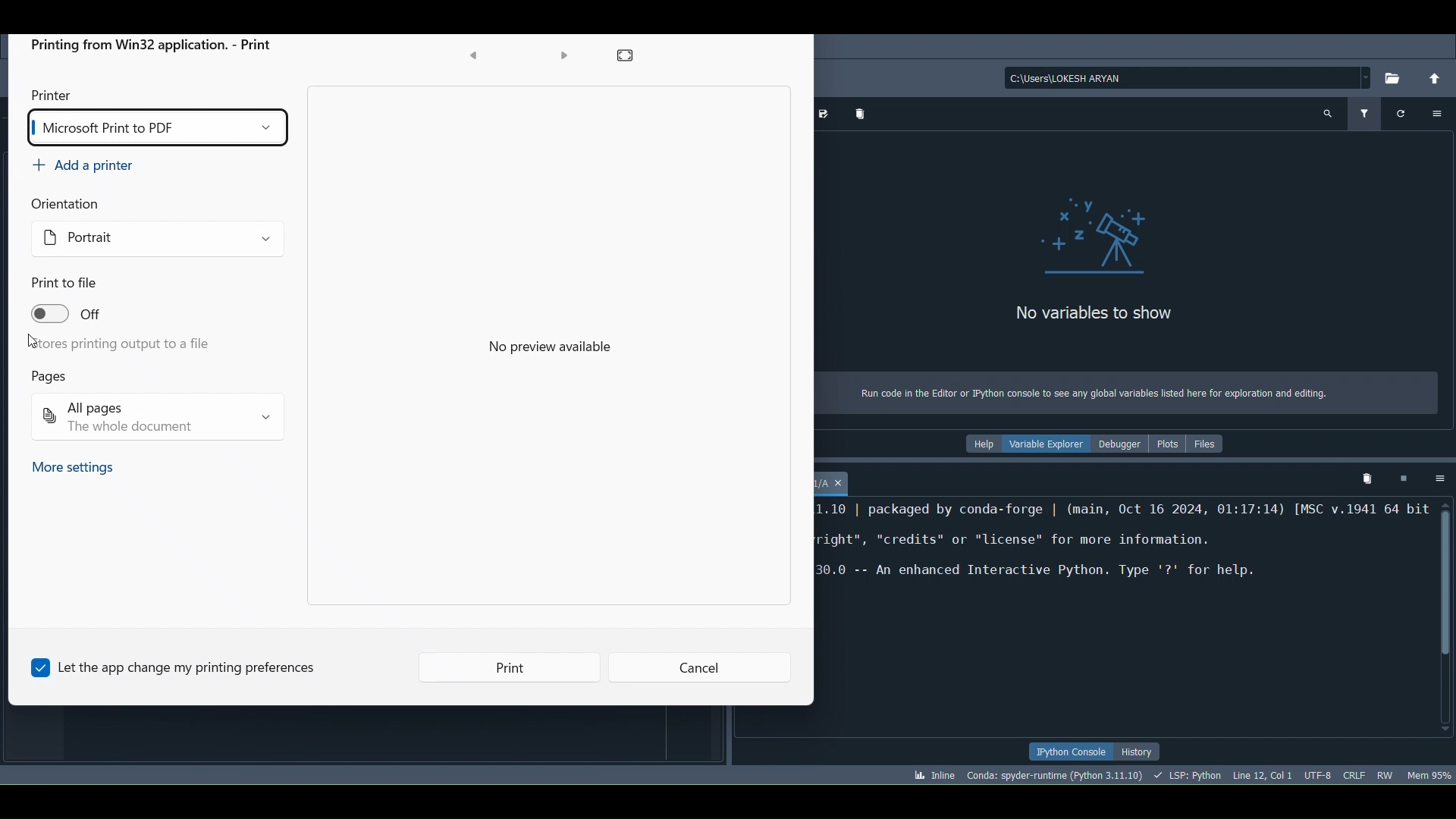  What do you see at coordinates (1123, 446) in the screenshot?
I see `Debugger` at bounding box center [1123, 446].